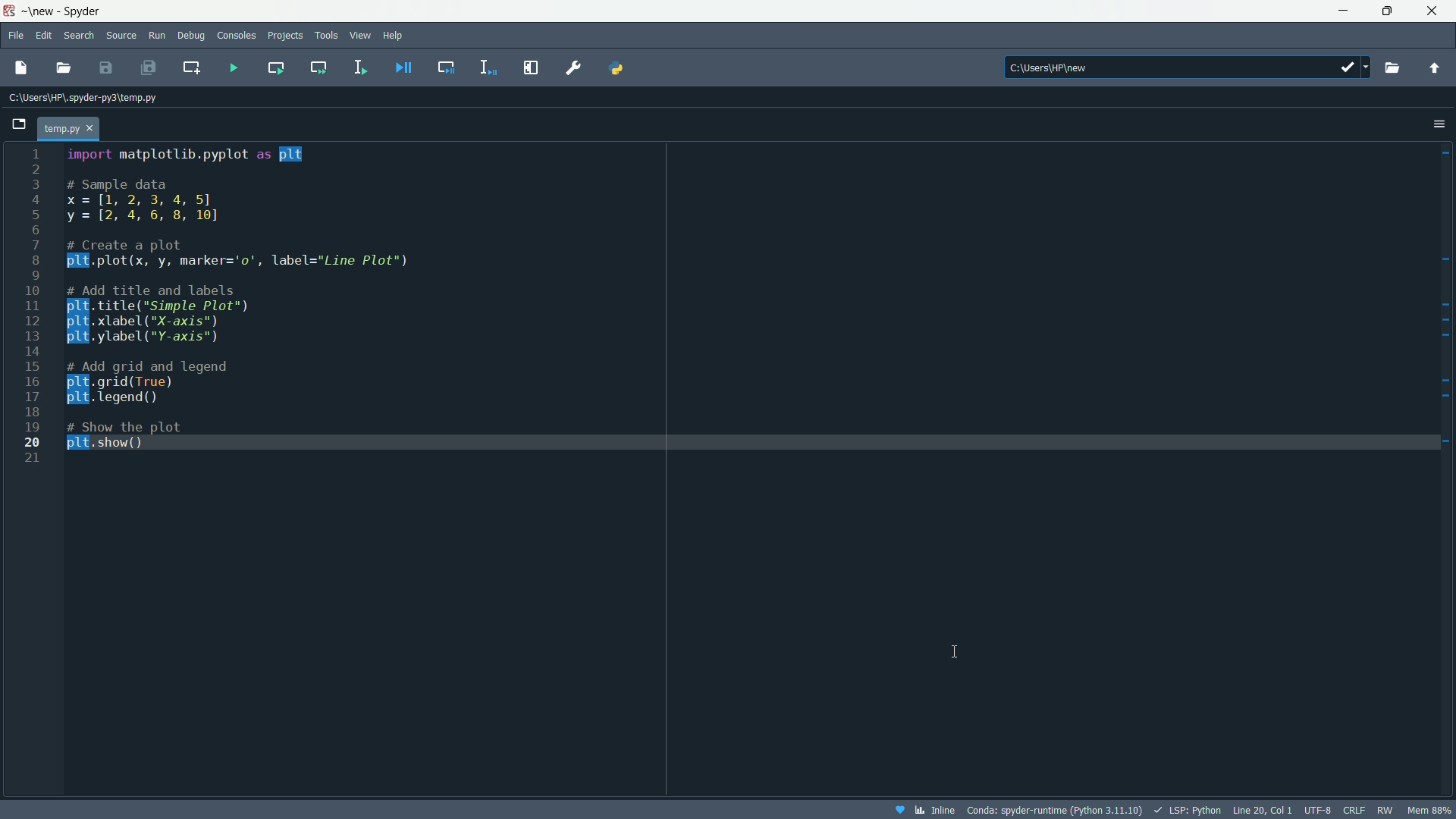  I want to click on LSP:Python, so click(1187, 810).